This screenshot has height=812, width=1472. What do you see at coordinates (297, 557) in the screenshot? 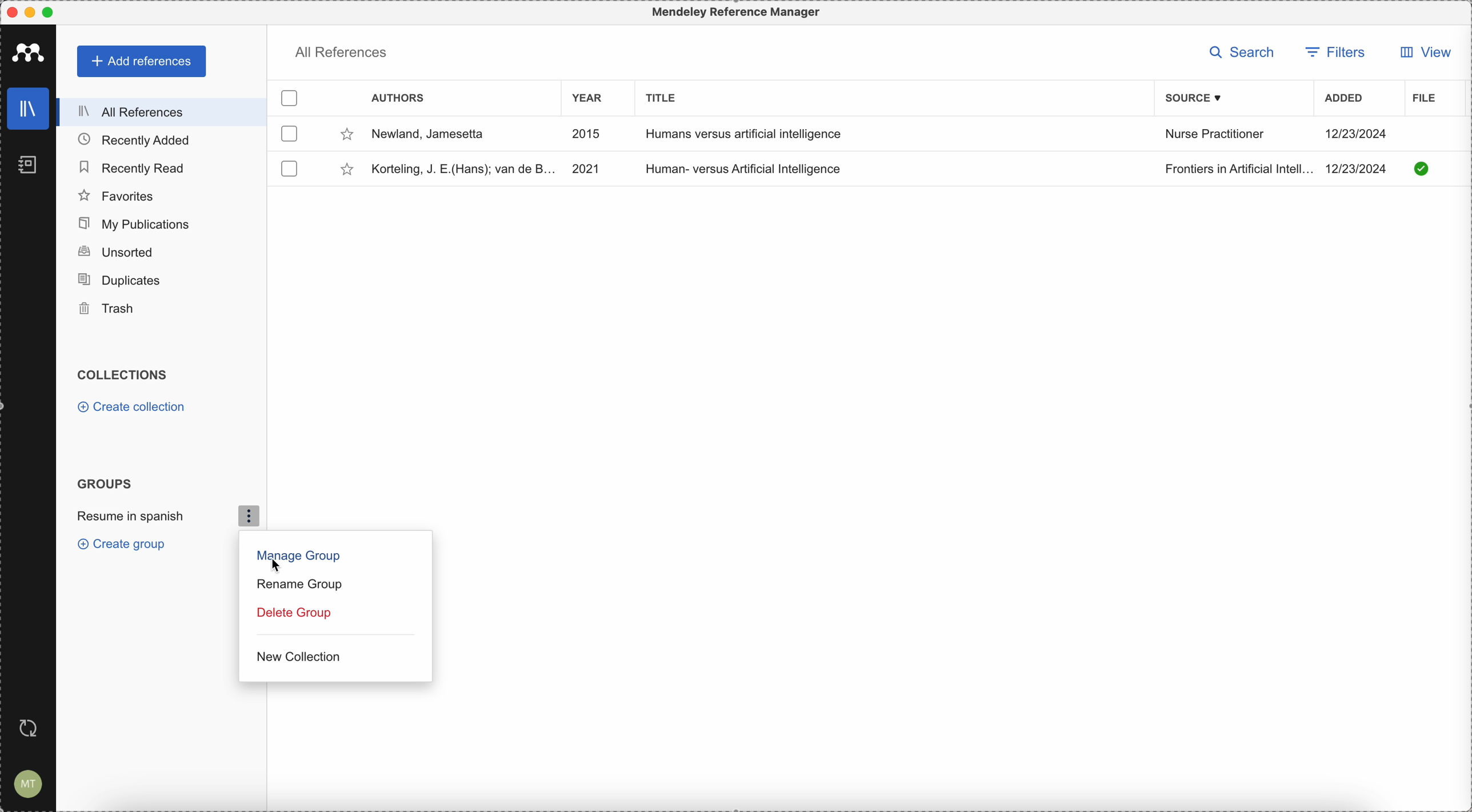
I see `click on manage group` at bounding box center [297, 557].